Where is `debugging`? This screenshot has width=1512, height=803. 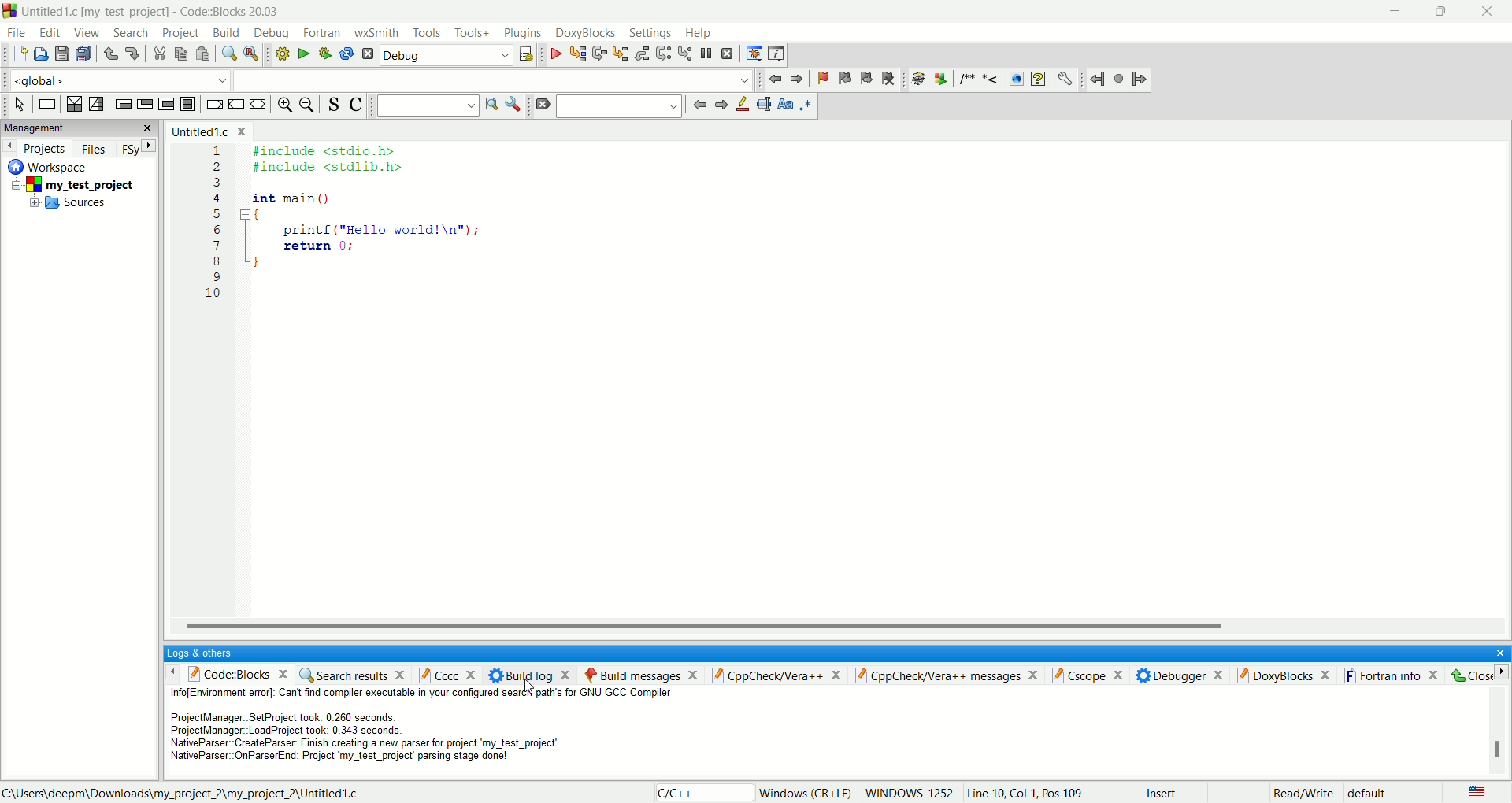
debugging is located at coordinates (753, 53).